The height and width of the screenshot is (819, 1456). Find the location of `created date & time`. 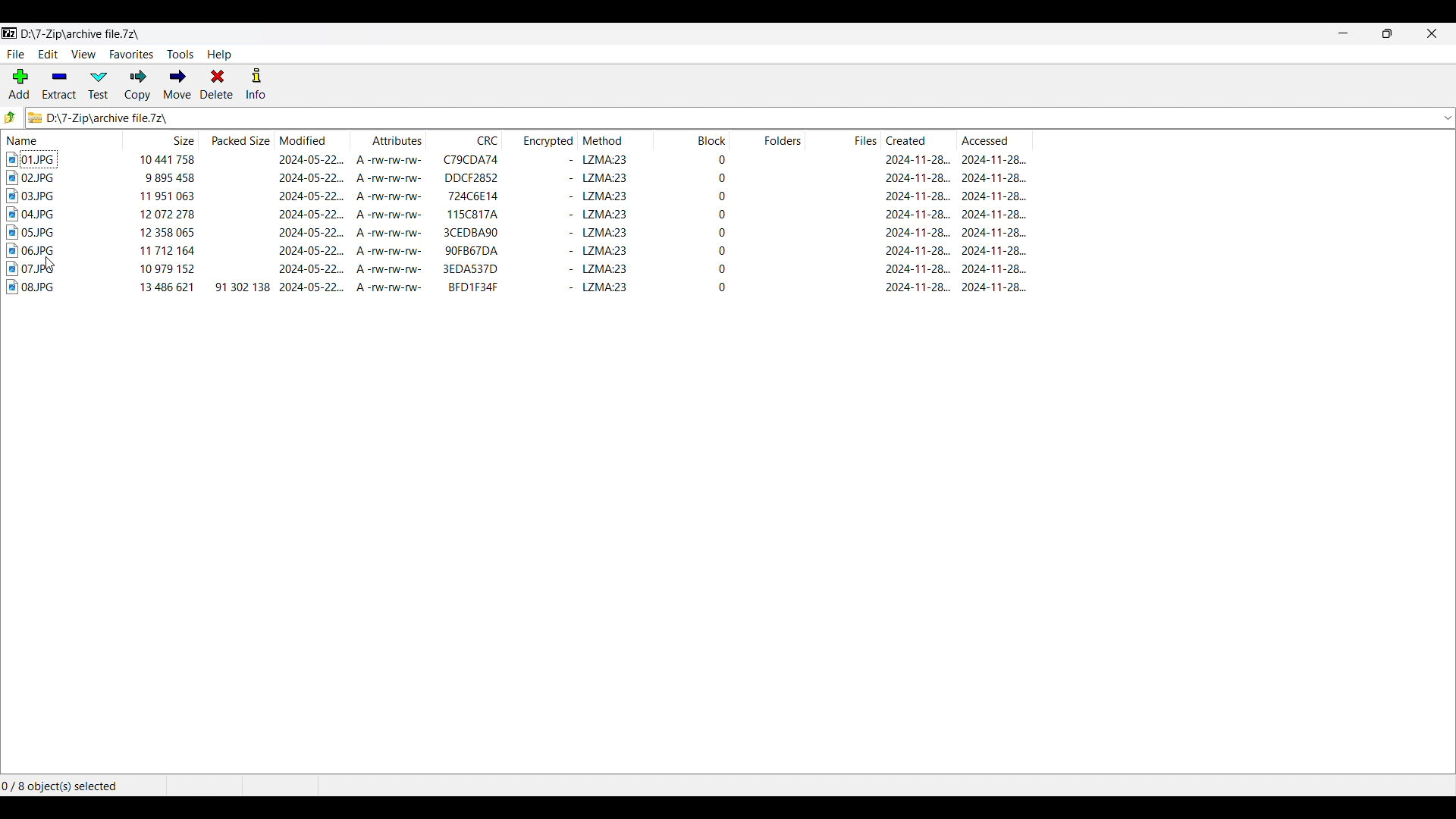

created date & time is located at coordinates (918, 232).